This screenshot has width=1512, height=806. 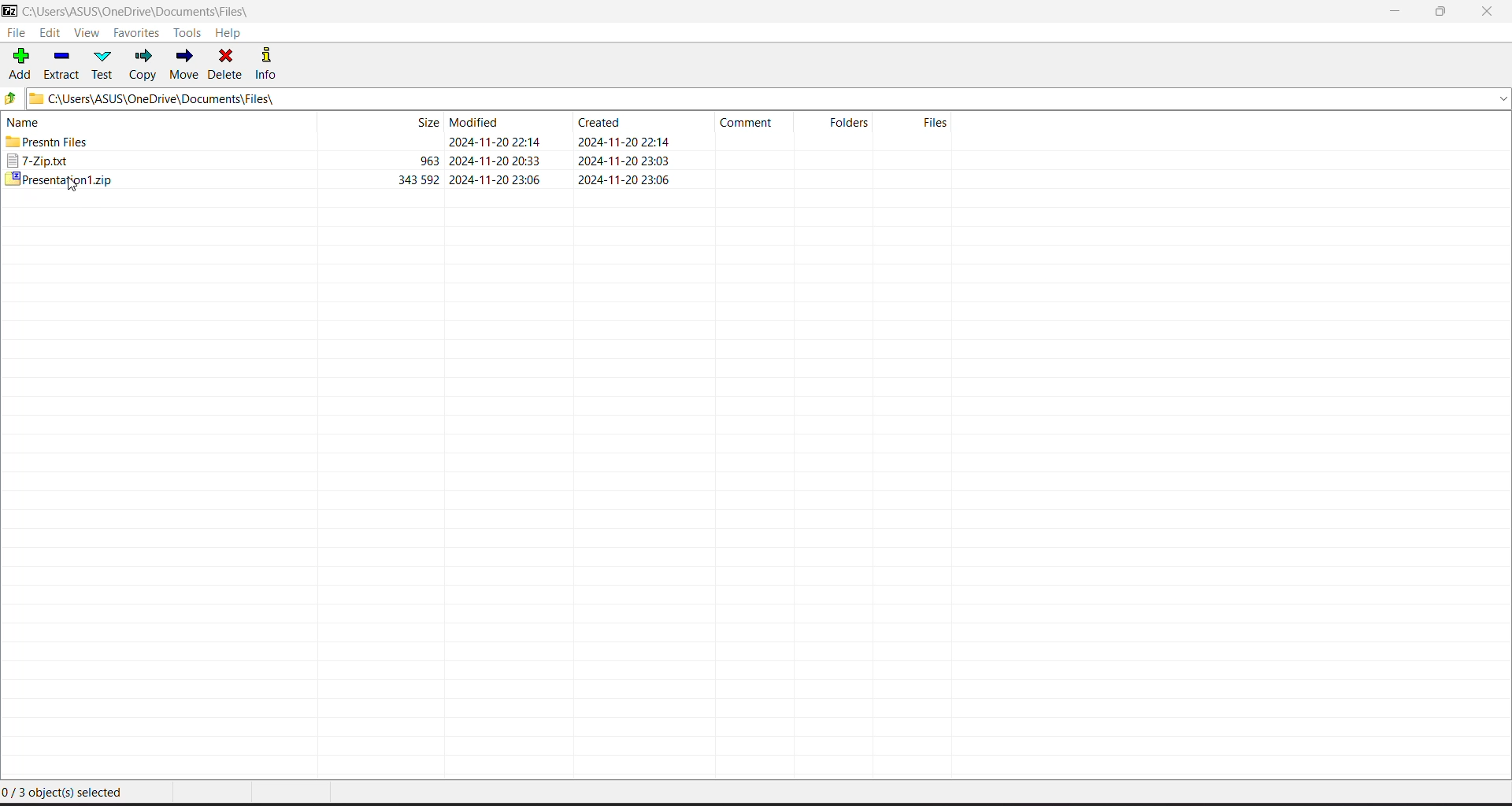 I want to click on Edit, so click(x=52, y=34).